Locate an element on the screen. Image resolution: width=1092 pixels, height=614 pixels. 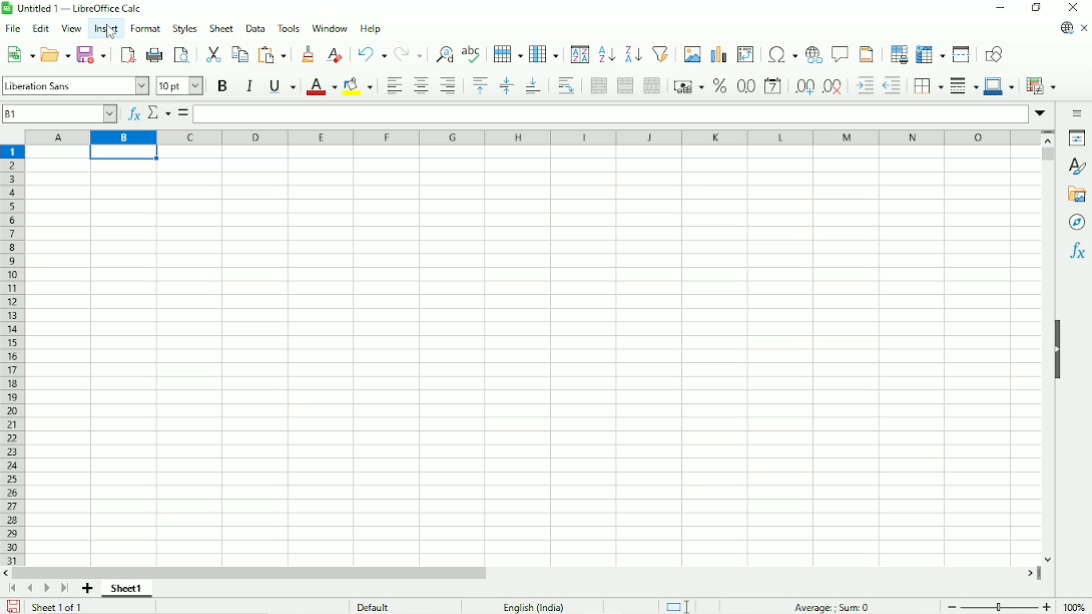
Functions is located at coordinates (1079, 251).